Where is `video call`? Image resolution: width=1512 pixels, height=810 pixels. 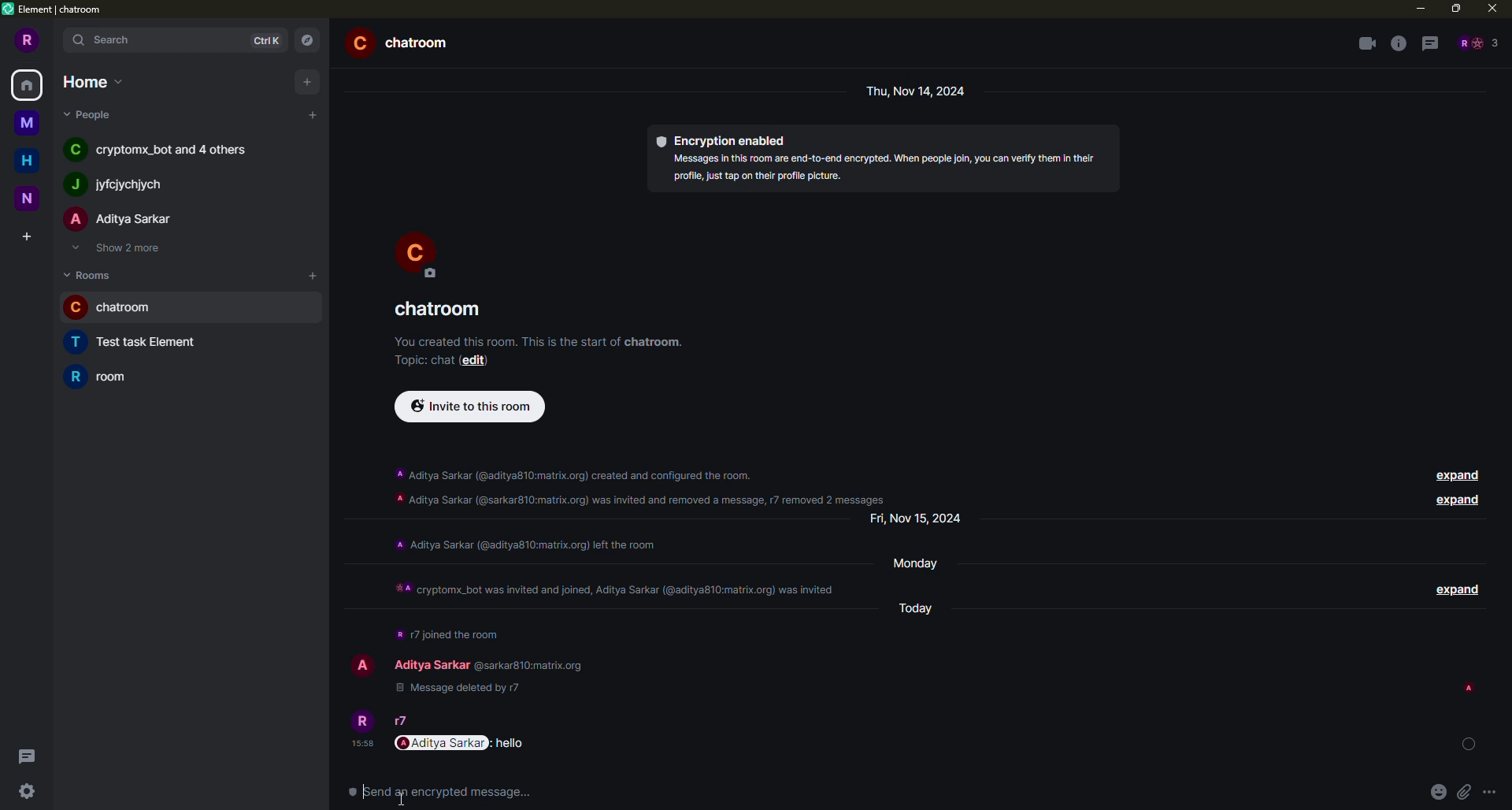 video call is located at coordinates (1366, 43).